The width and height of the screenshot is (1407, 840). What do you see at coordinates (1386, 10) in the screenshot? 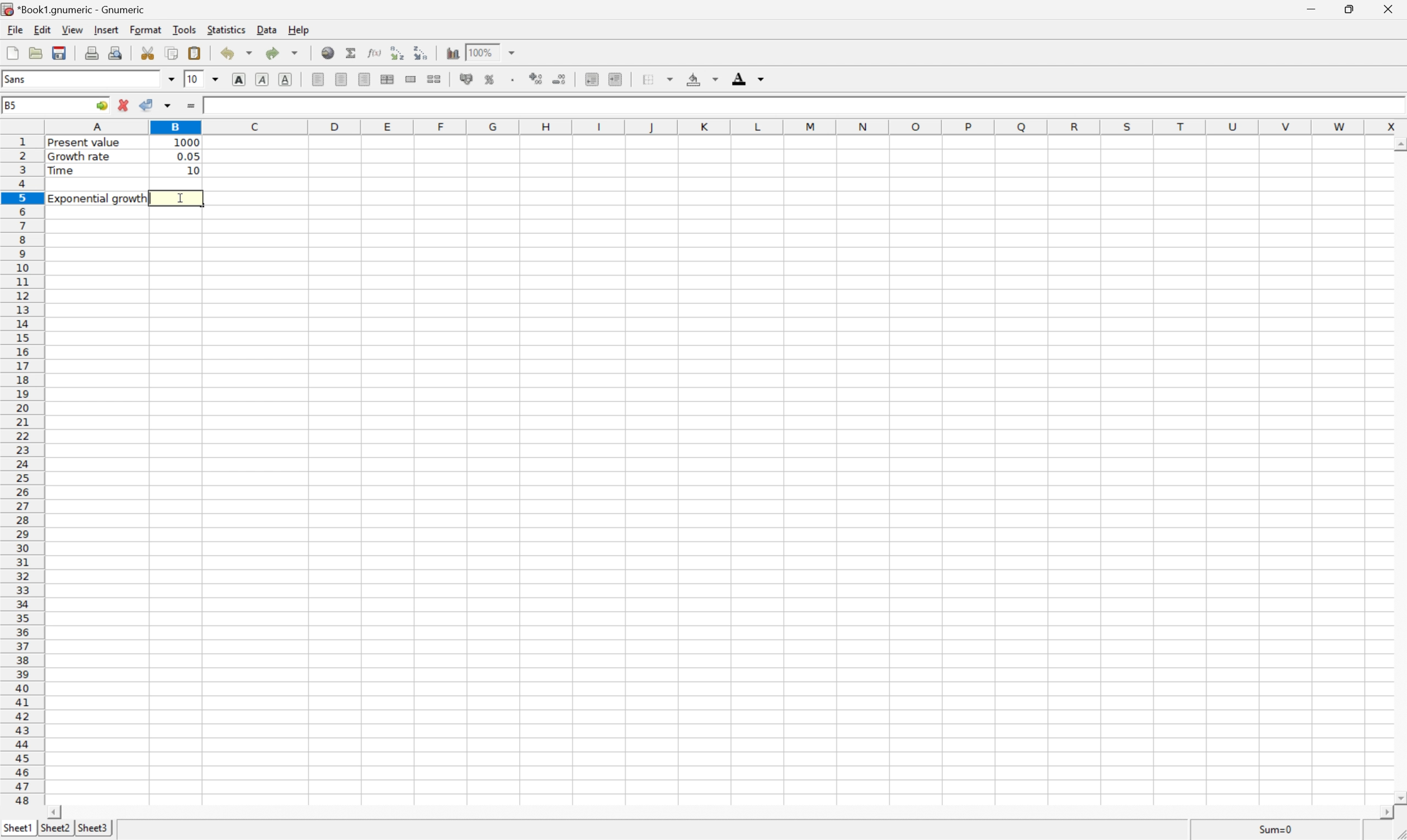
I see `Close` at bounding box center [1386, 10].